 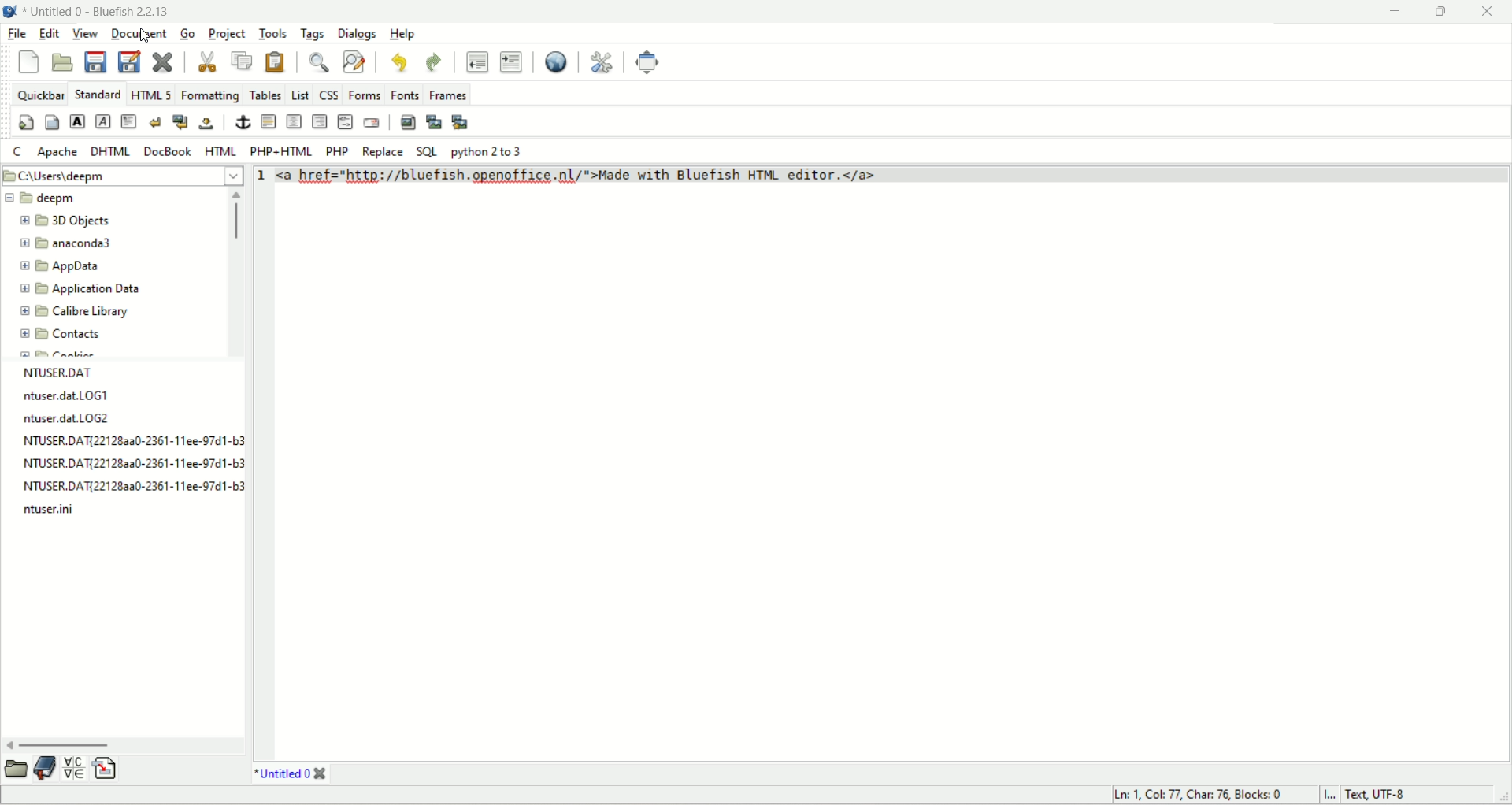 I want to click on deepm, so click(x=41, y=198).